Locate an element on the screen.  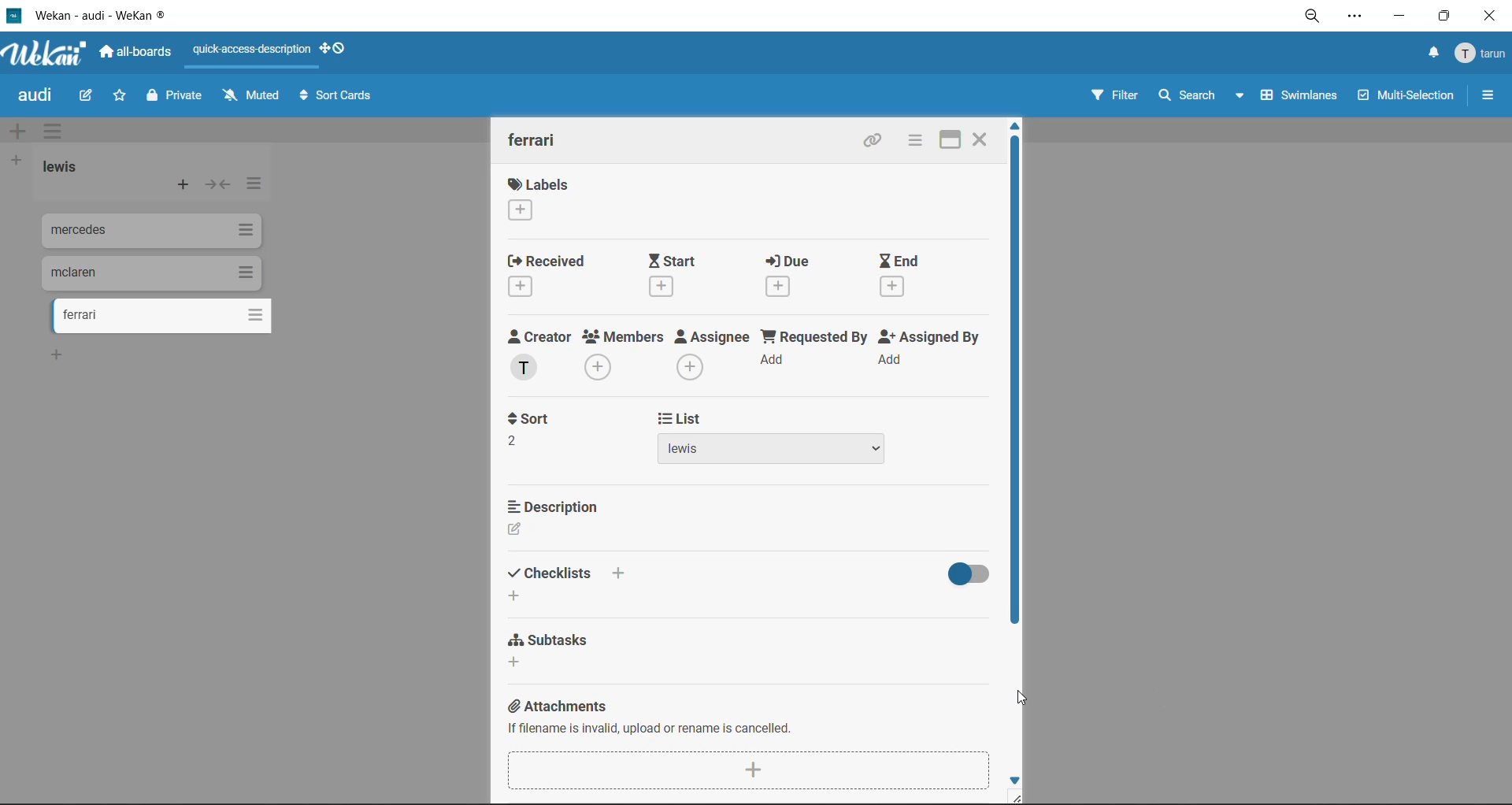
quick access description is located at coordinates (249, 55).